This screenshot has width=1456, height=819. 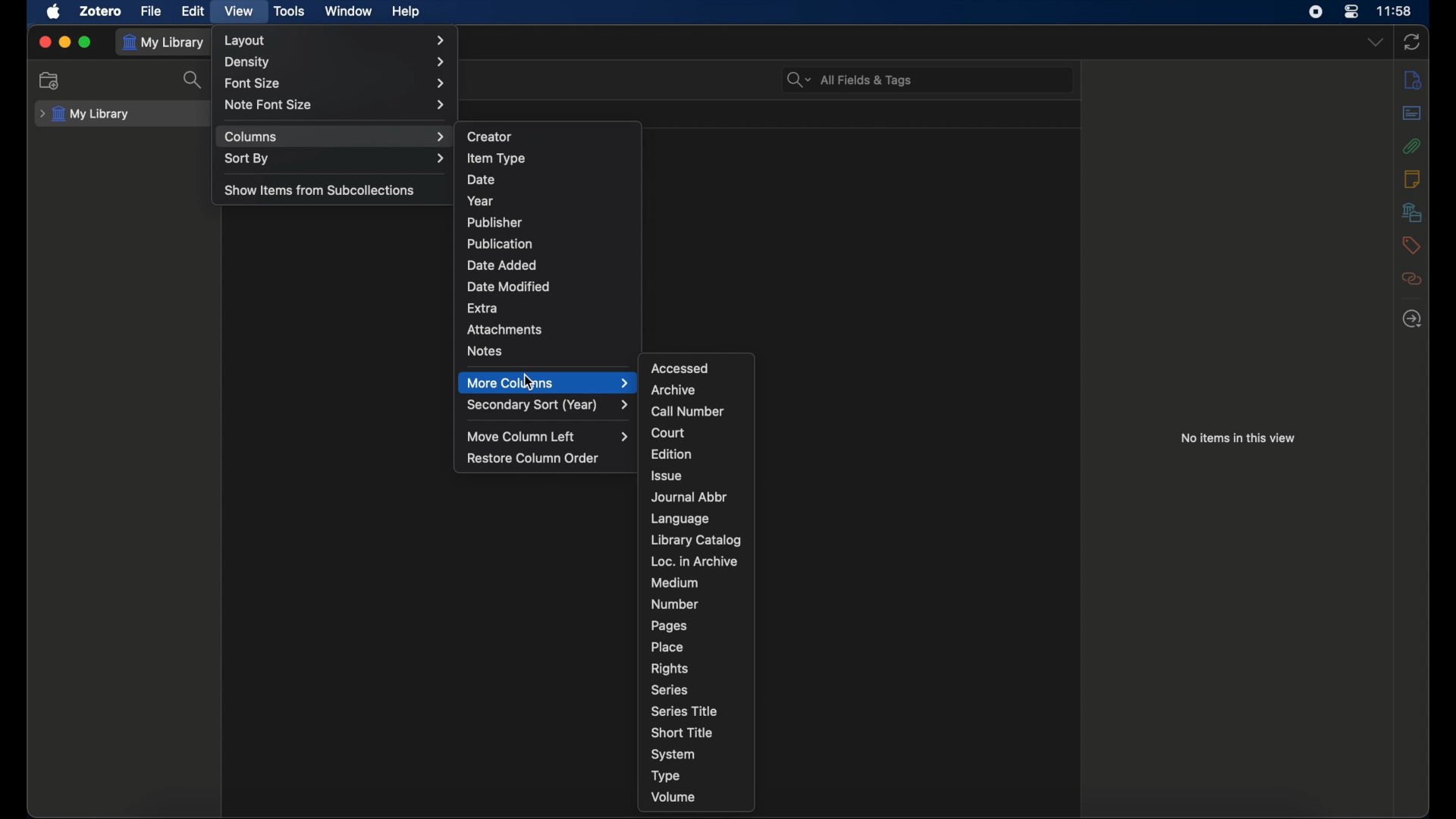 What do you see at coordinates (679, 368) in the screenshot?
I see `accessed` at bounding box center [679, 368].